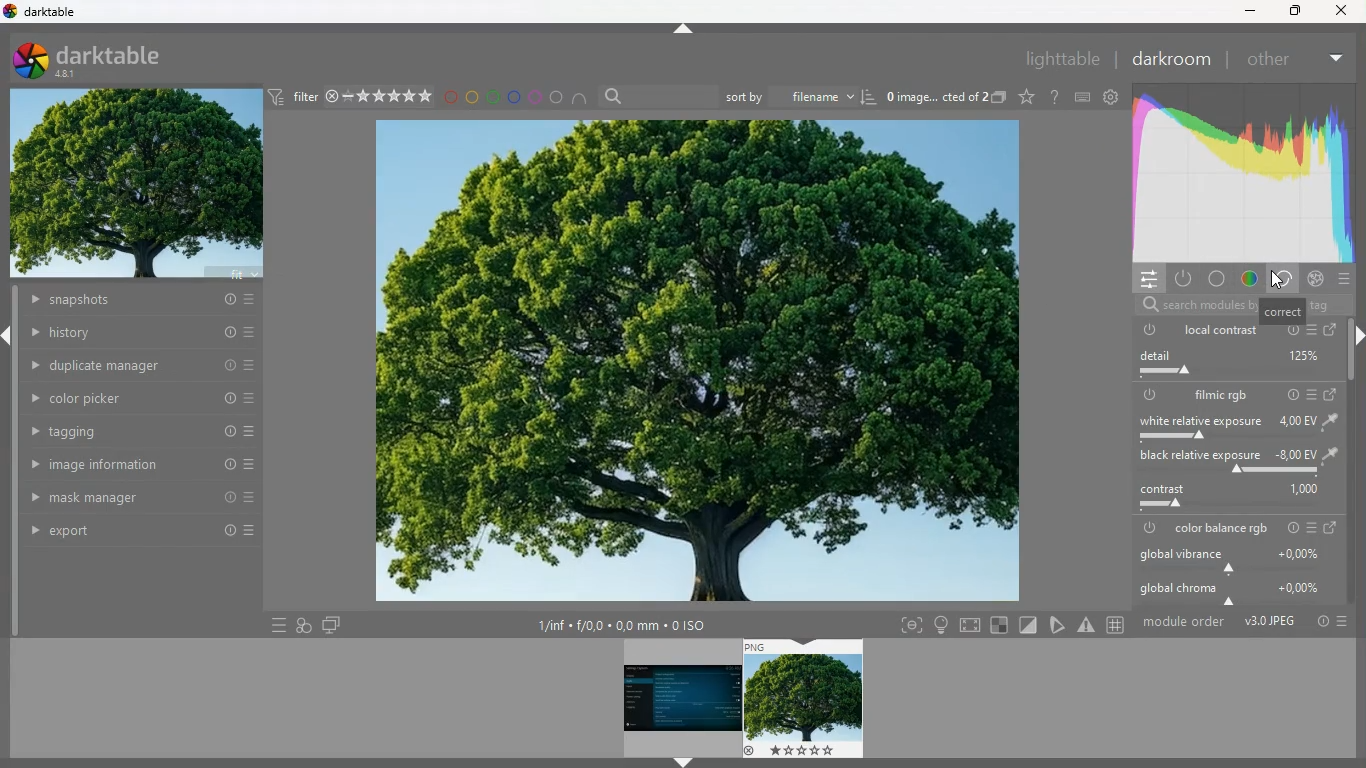  What do you see at coordinates (1056, 624) in the screenshot?
I see `tag` at bounding box center [1056, 624].